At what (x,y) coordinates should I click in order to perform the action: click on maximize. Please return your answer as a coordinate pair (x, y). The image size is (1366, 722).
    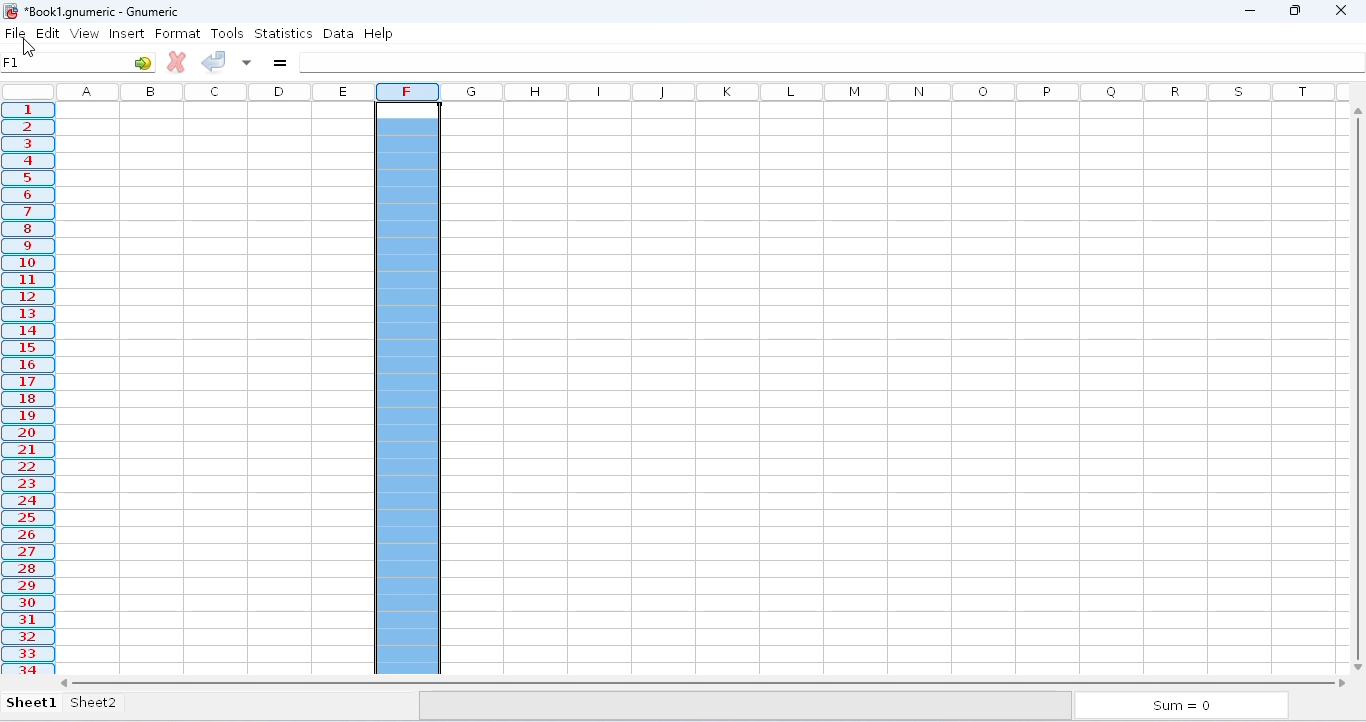
    Looking at the image, I should click on (1294, 10).